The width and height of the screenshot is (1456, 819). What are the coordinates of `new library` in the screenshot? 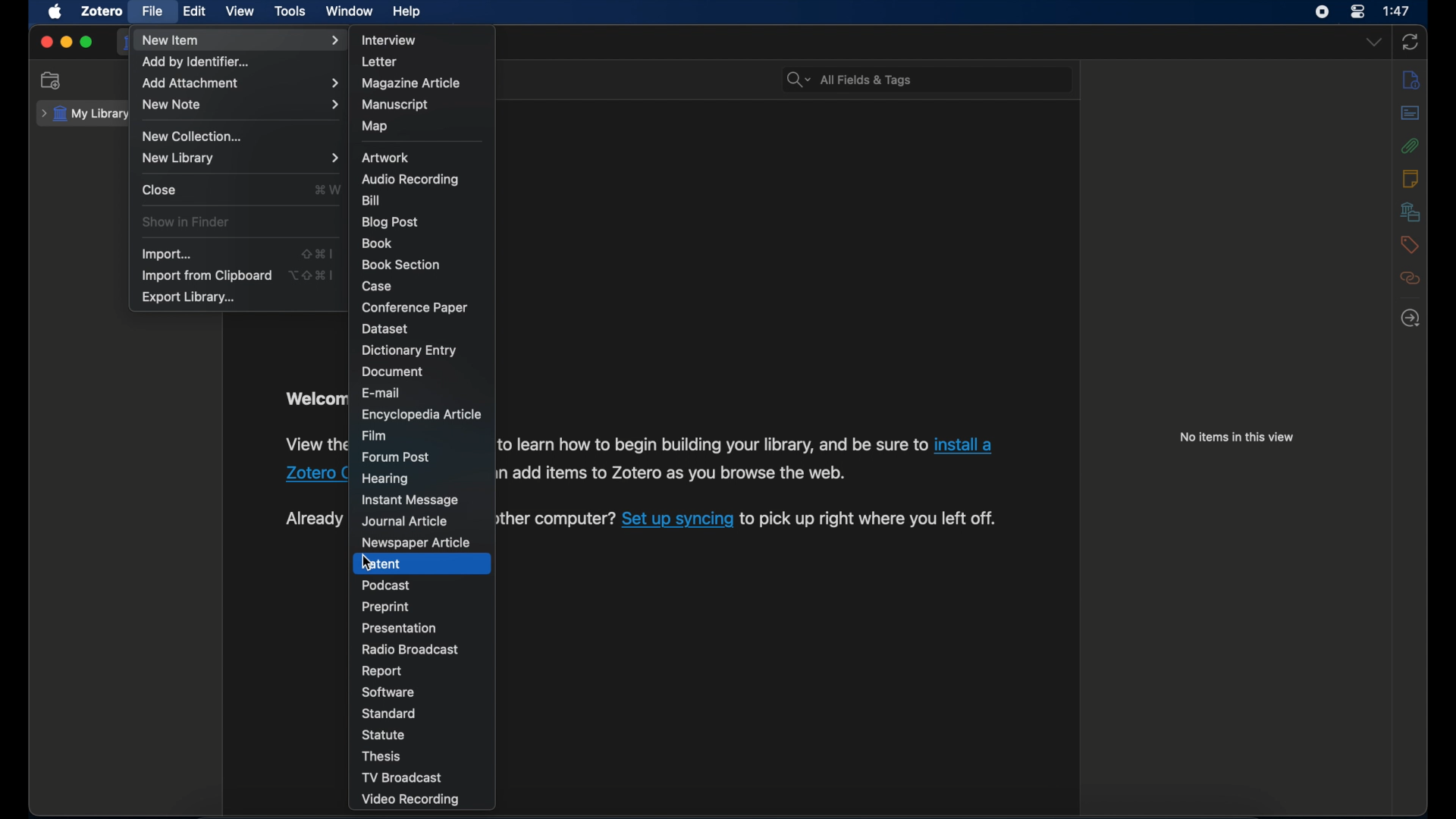 It's located at (240, 158).